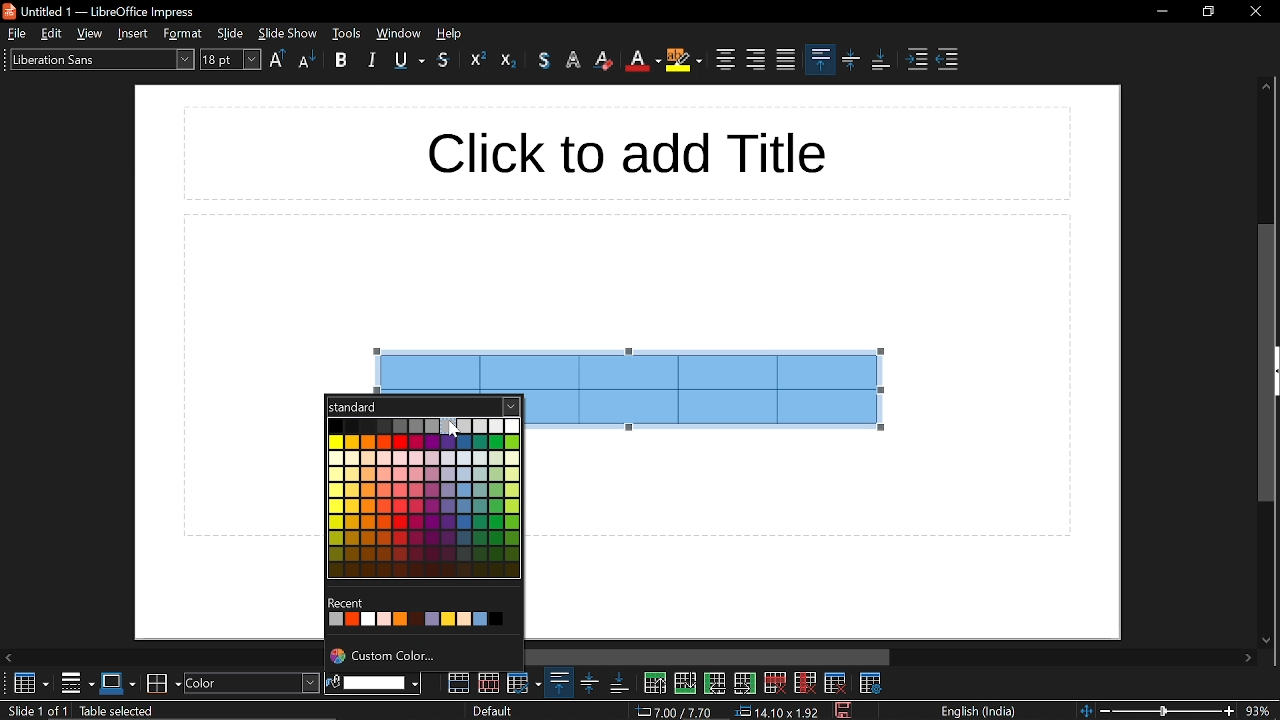  Describe the element at coordinates (445, 63) in the screenshot. I see `strikethrough` at that location.